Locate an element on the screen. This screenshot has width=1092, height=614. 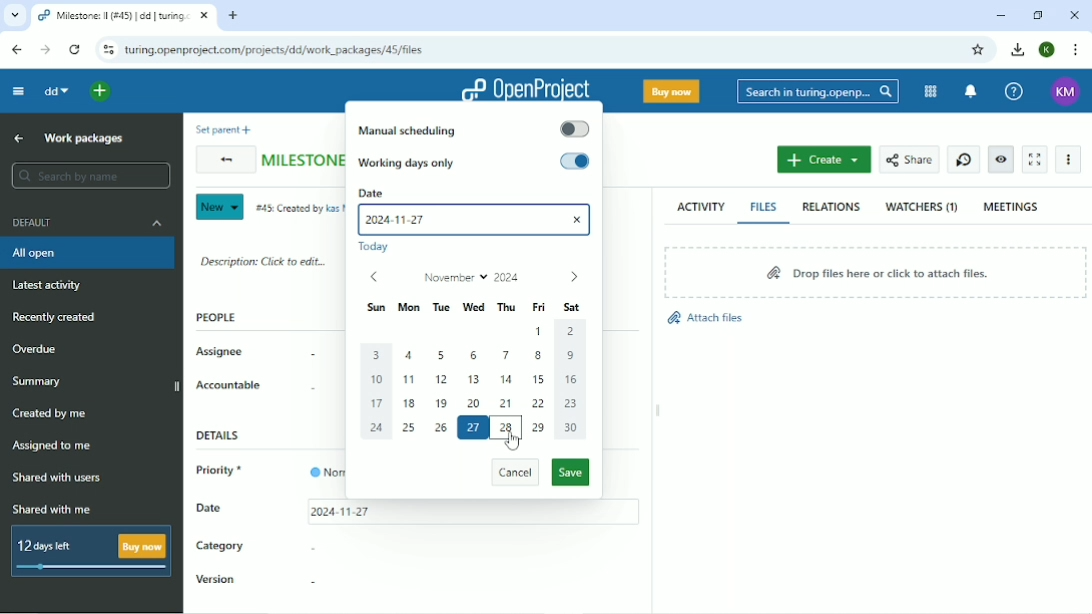
Relations is located at coordinates (831, 207).